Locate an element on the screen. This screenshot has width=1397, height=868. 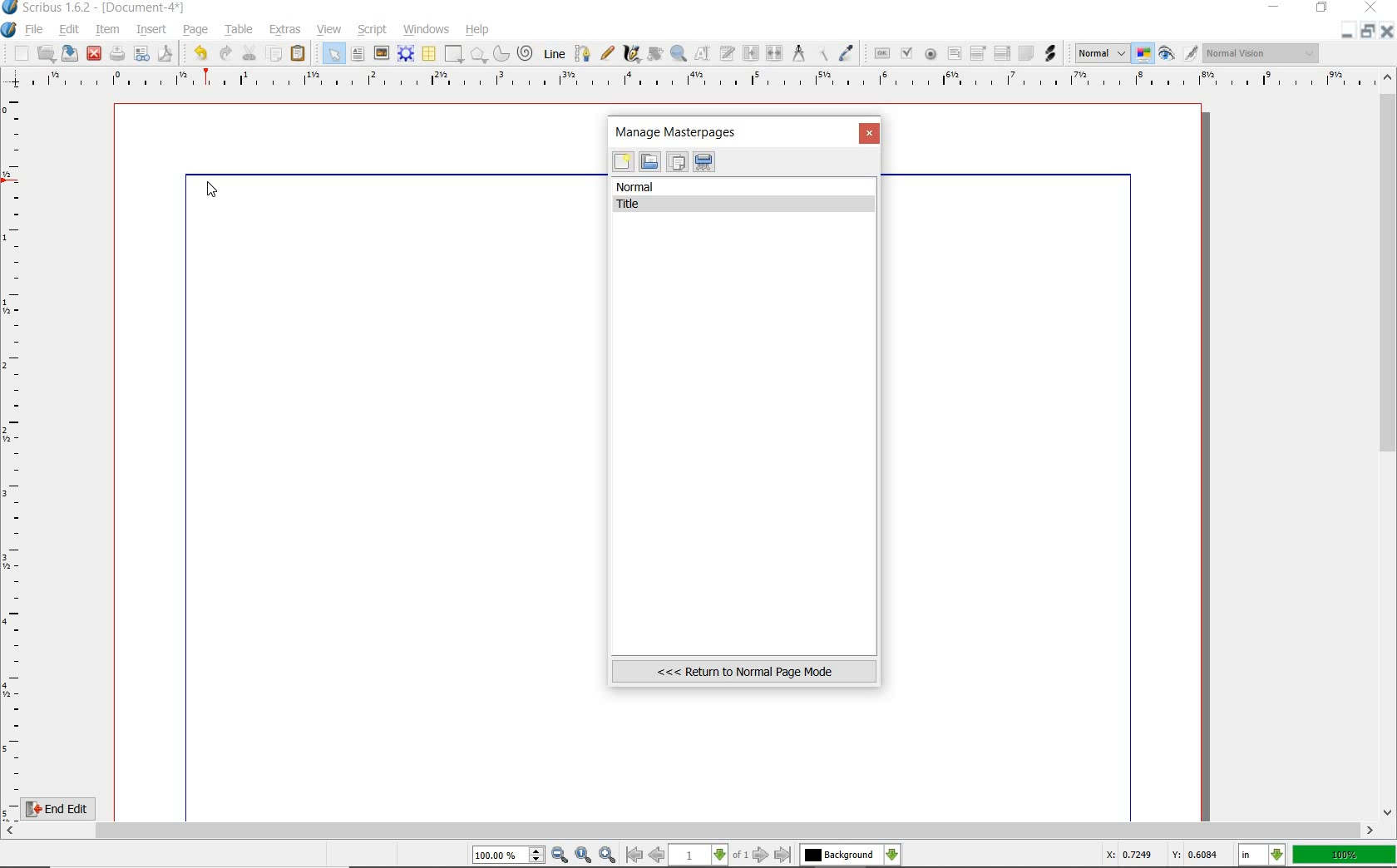
manage masterpages is located at coordinates (681, 131).